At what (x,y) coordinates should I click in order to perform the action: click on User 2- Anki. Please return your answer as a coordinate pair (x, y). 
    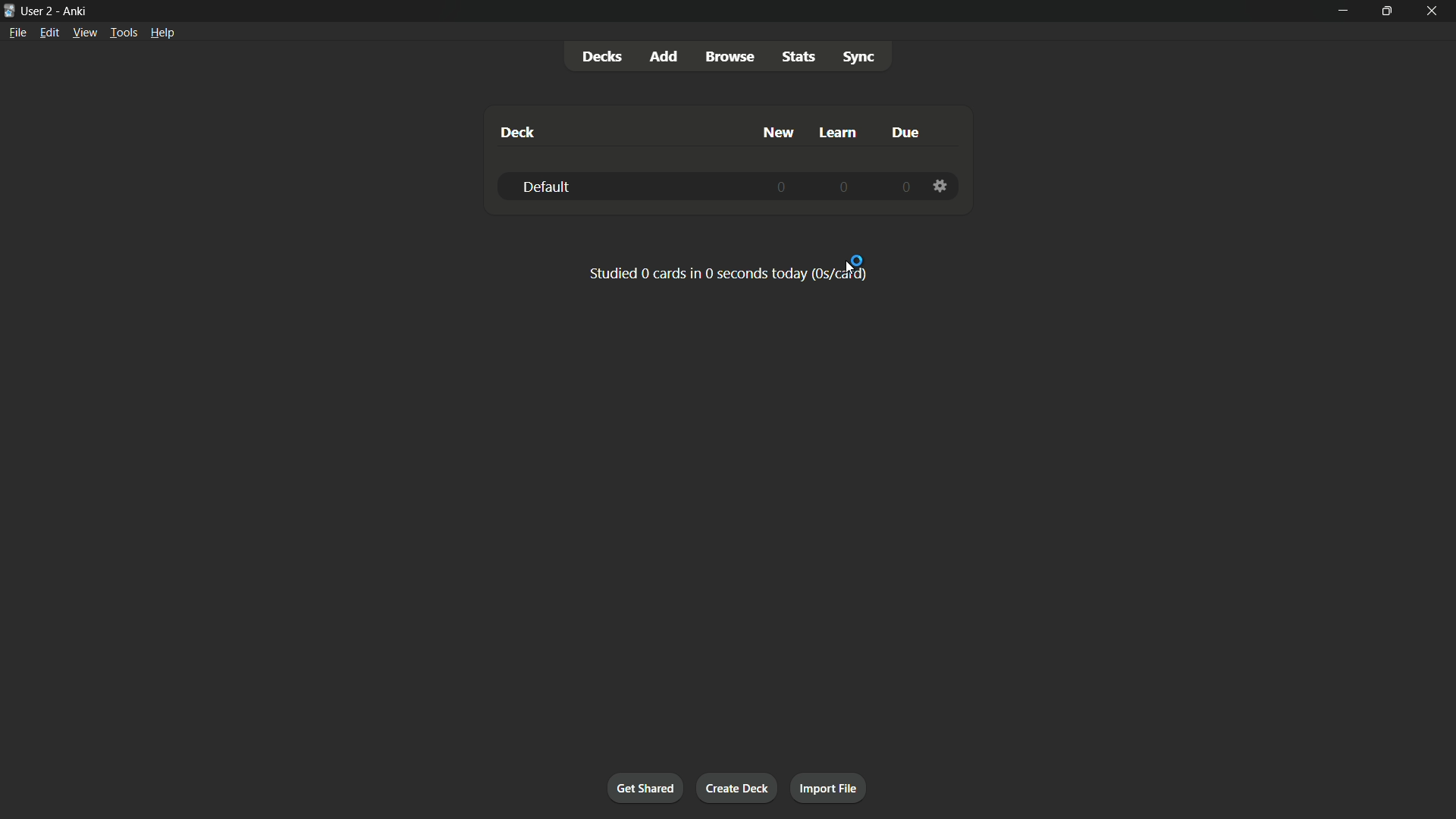
    Looking at the image, I should click on (656, 11).